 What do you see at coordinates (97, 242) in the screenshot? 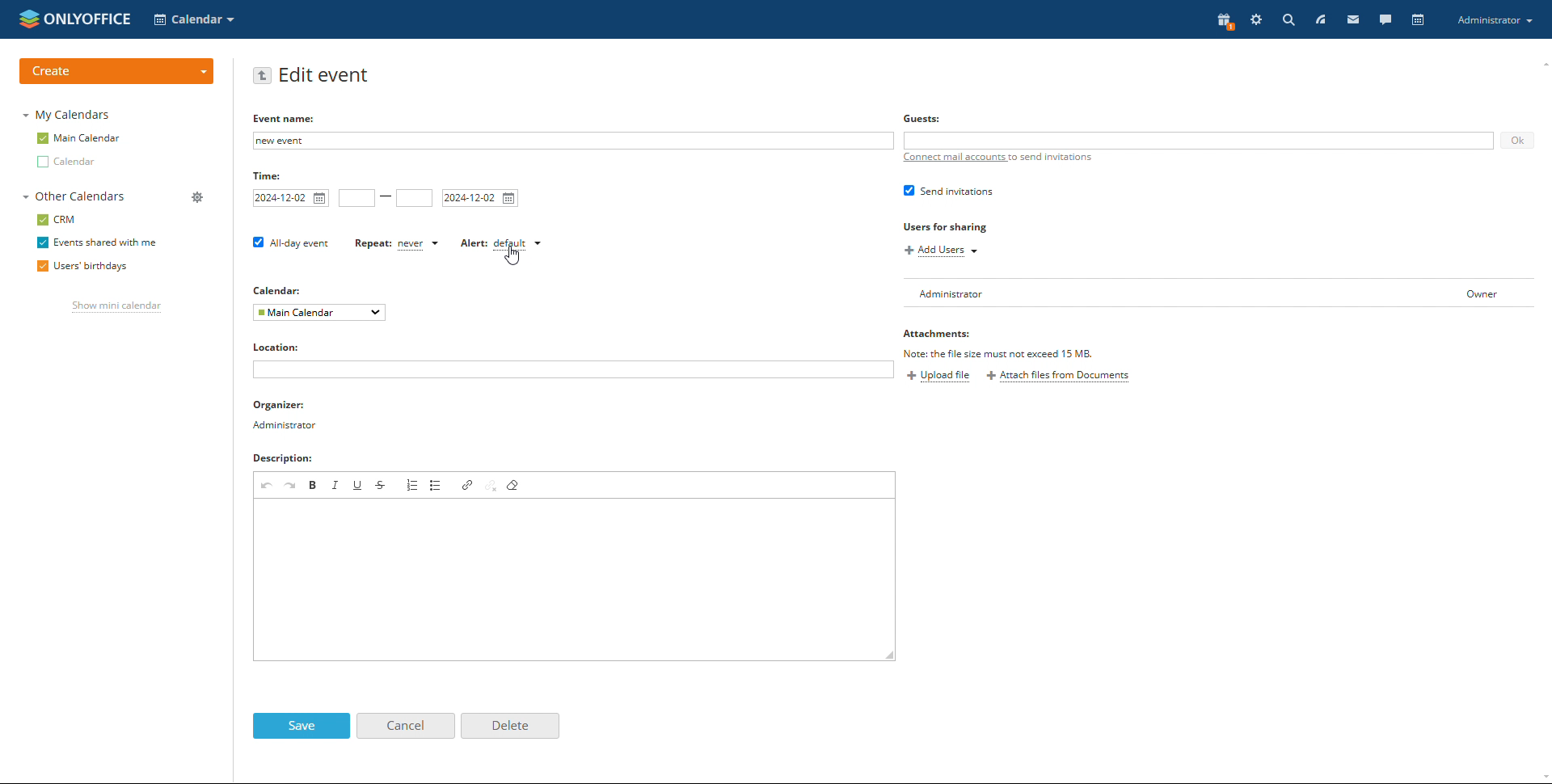
I see `events shared with me` at bounding box center [97, 242].